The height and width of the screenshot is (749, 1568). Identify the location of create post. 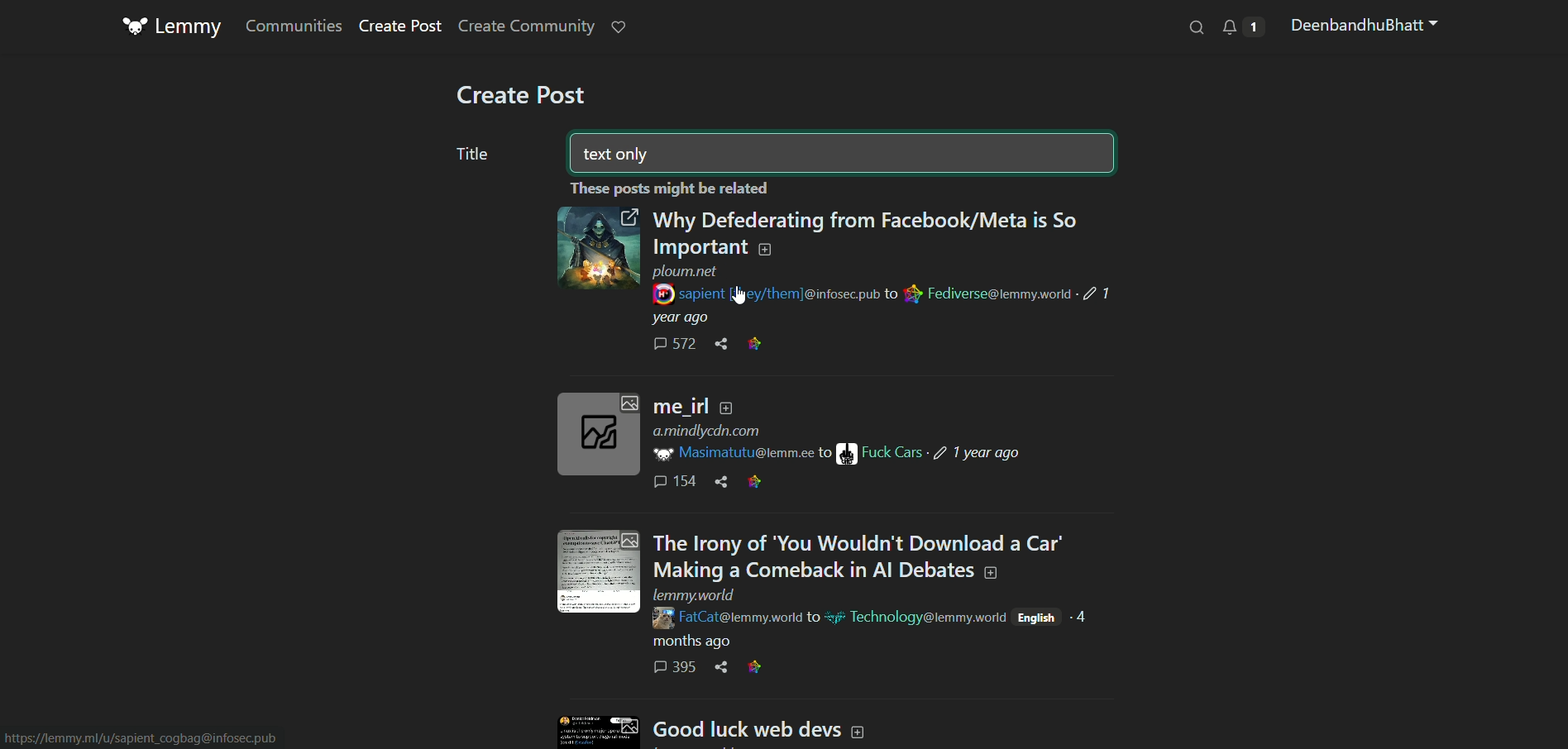
(520, 98).